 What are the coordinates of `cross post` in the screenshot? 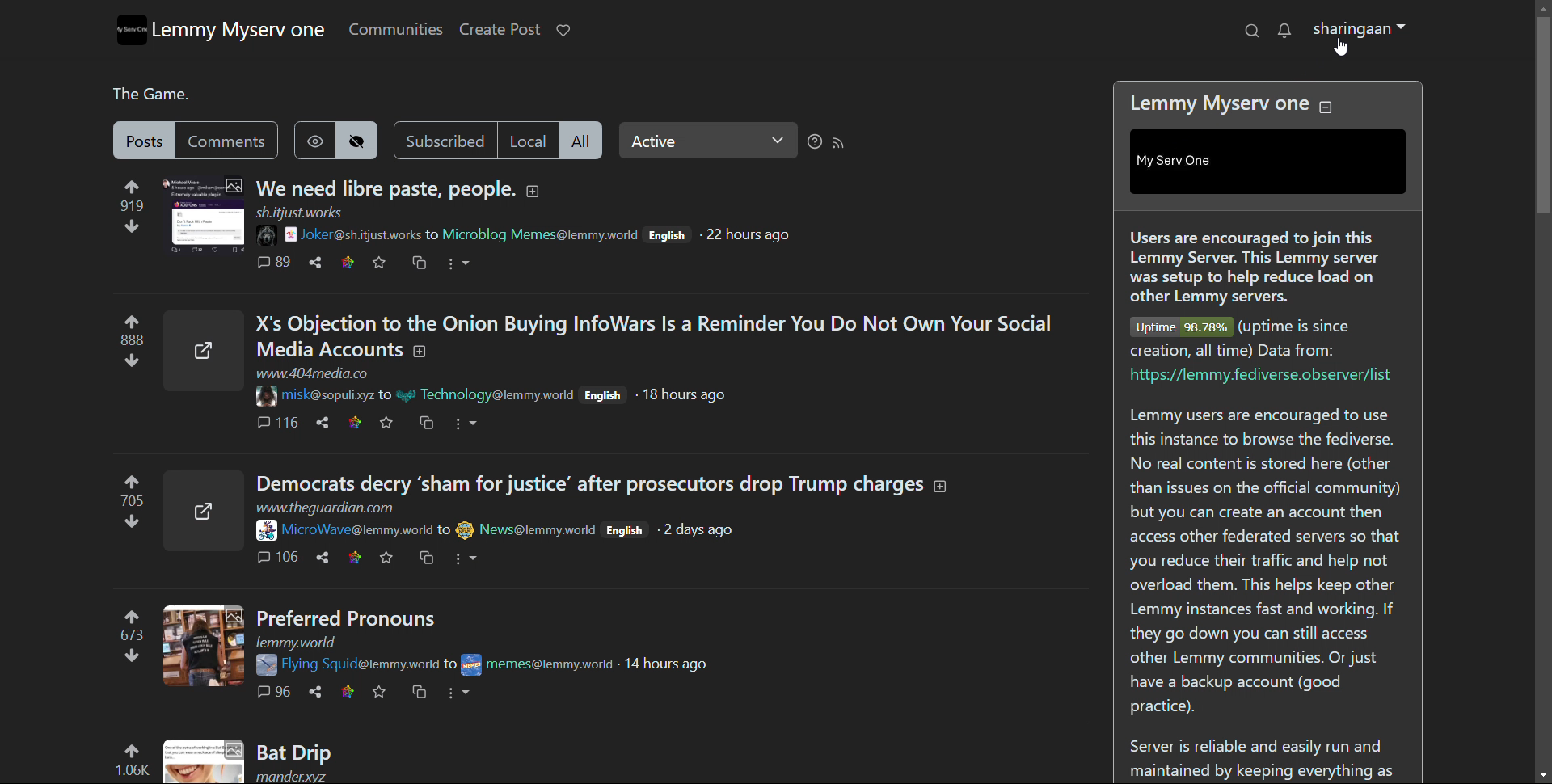 It's located at (432, 557).